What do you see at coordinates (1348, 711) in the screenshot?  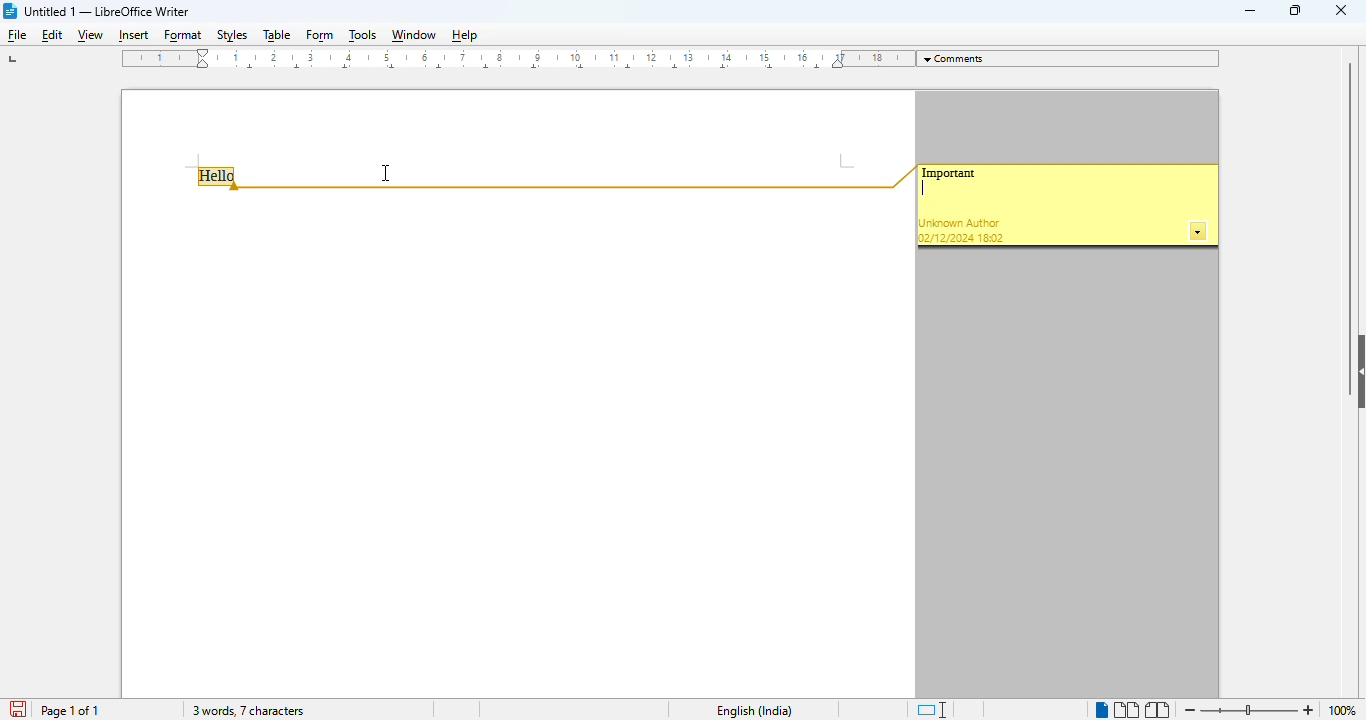 I see `zoom factor` at bounding box center [1348, 711].